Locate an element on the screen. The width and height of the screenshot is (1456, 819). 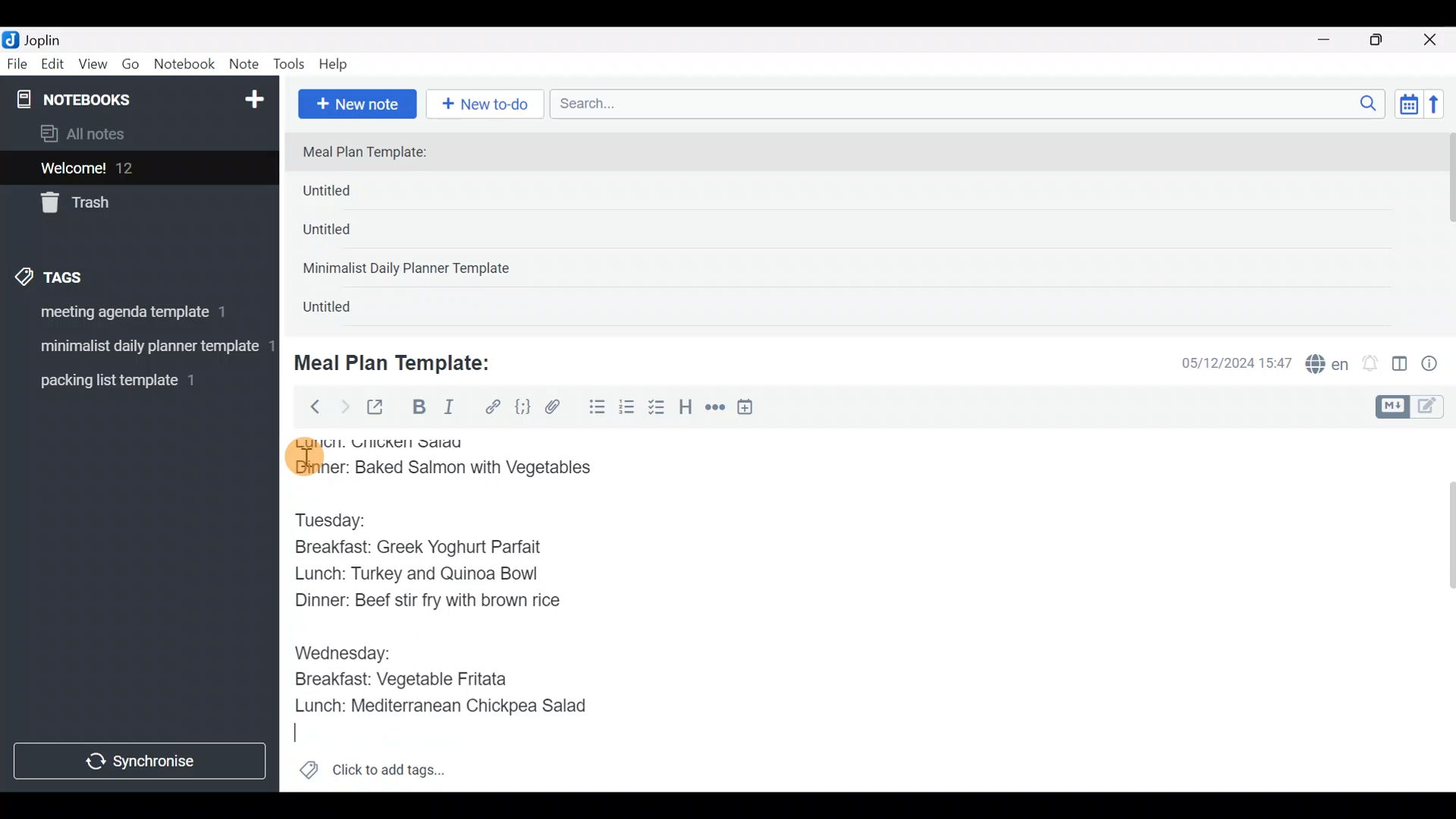
Bulleted list is located at coordinates (594, 408).